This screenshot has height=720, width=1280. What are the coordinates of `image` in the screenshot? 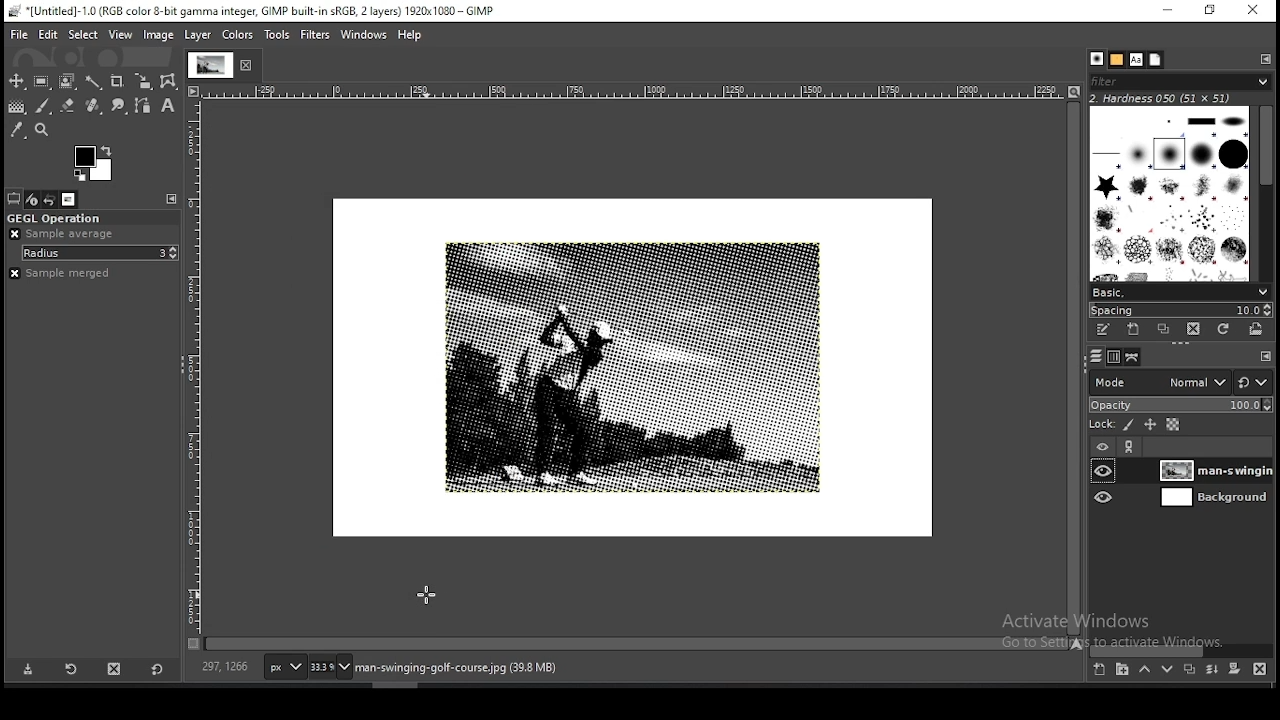 It's located at (159, 35).